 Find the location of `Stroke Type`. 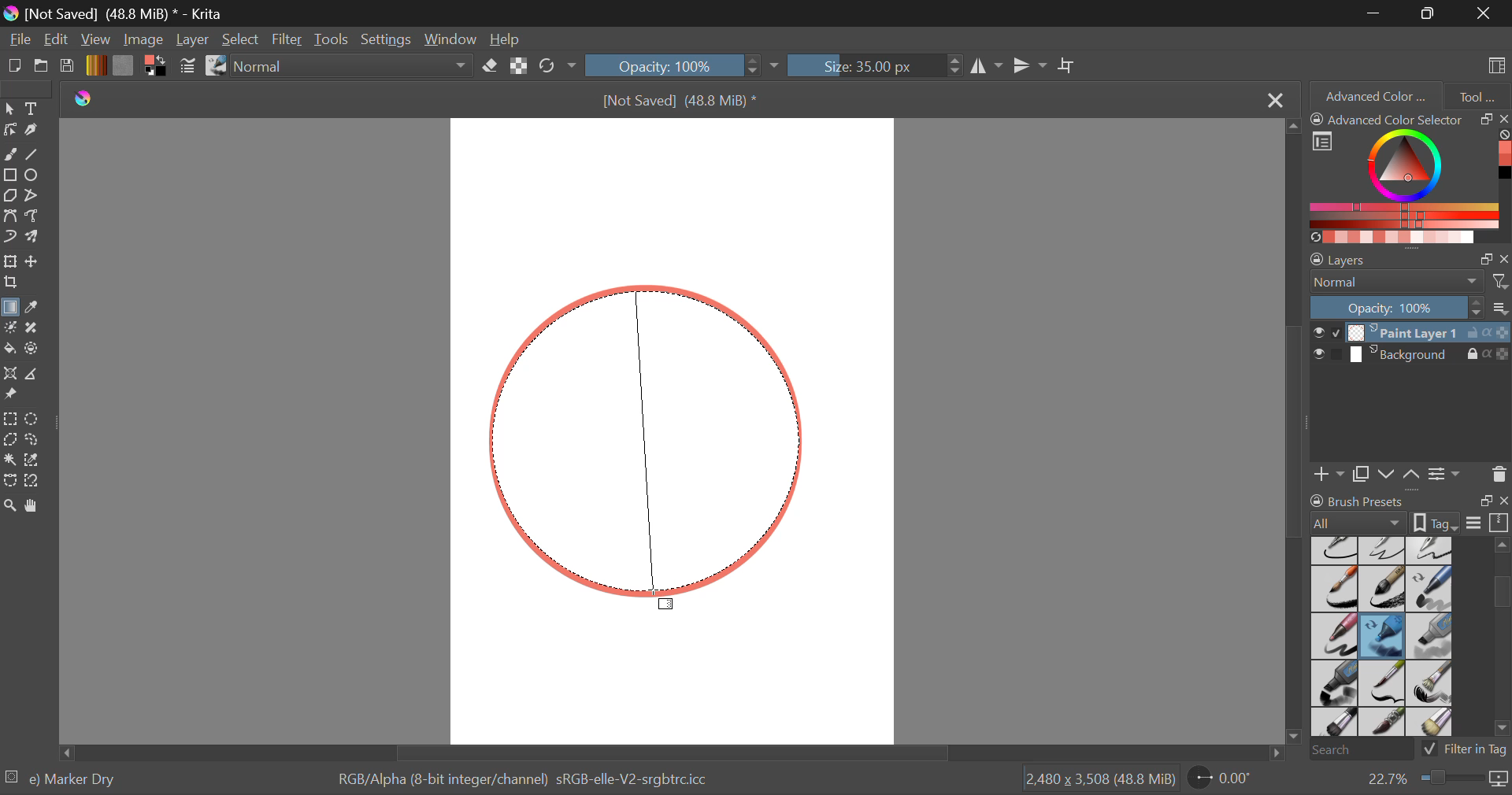

Stroke Type is located at coordinates (215, 67).